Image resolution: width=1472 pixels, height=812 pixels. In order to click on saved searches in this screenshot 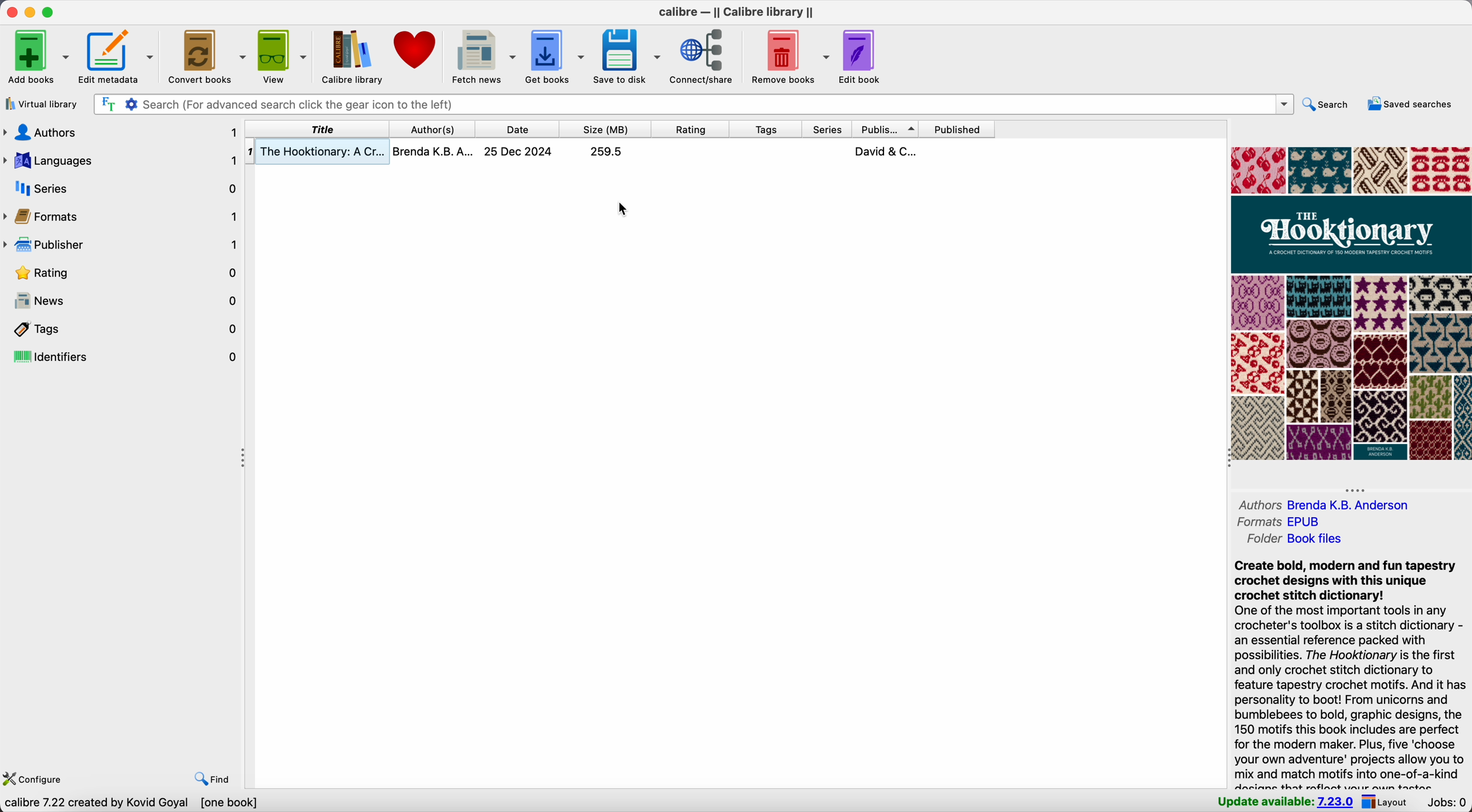, I will do `click(1413, 103)`.